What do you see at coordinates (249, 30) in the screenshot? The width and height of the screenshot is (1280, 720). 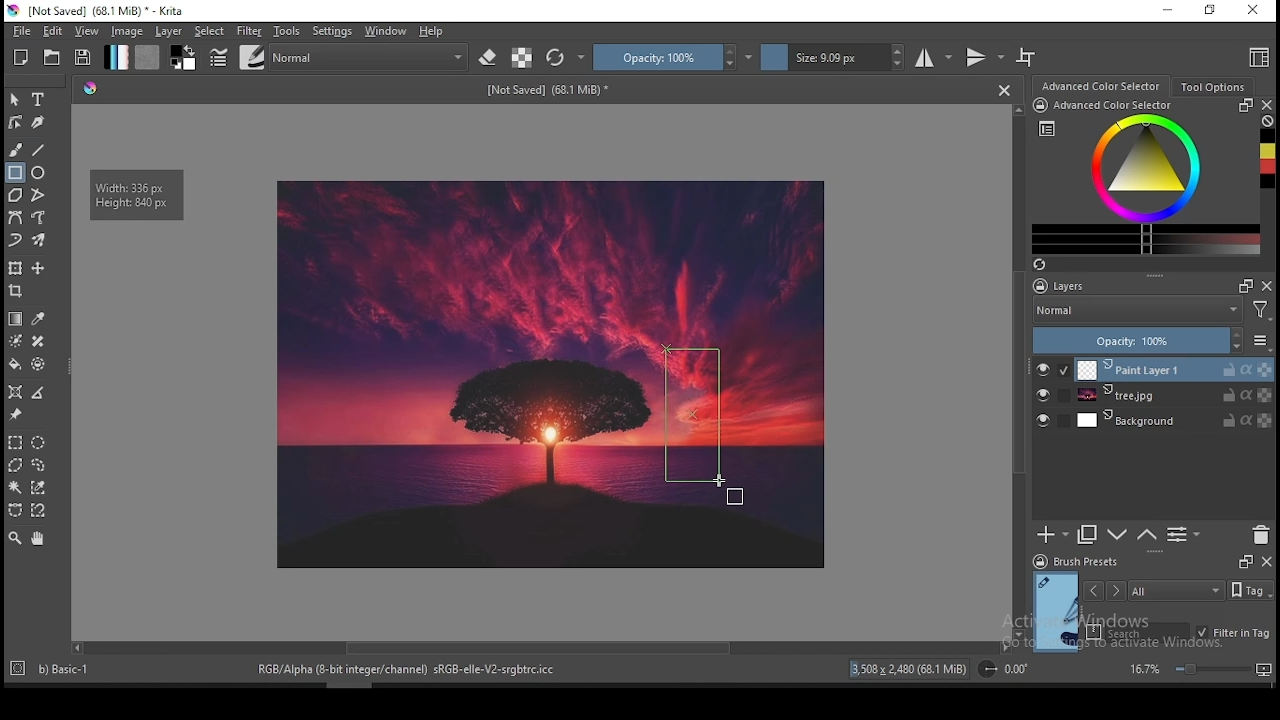 I see `filter` at bounding box center [249, 30].